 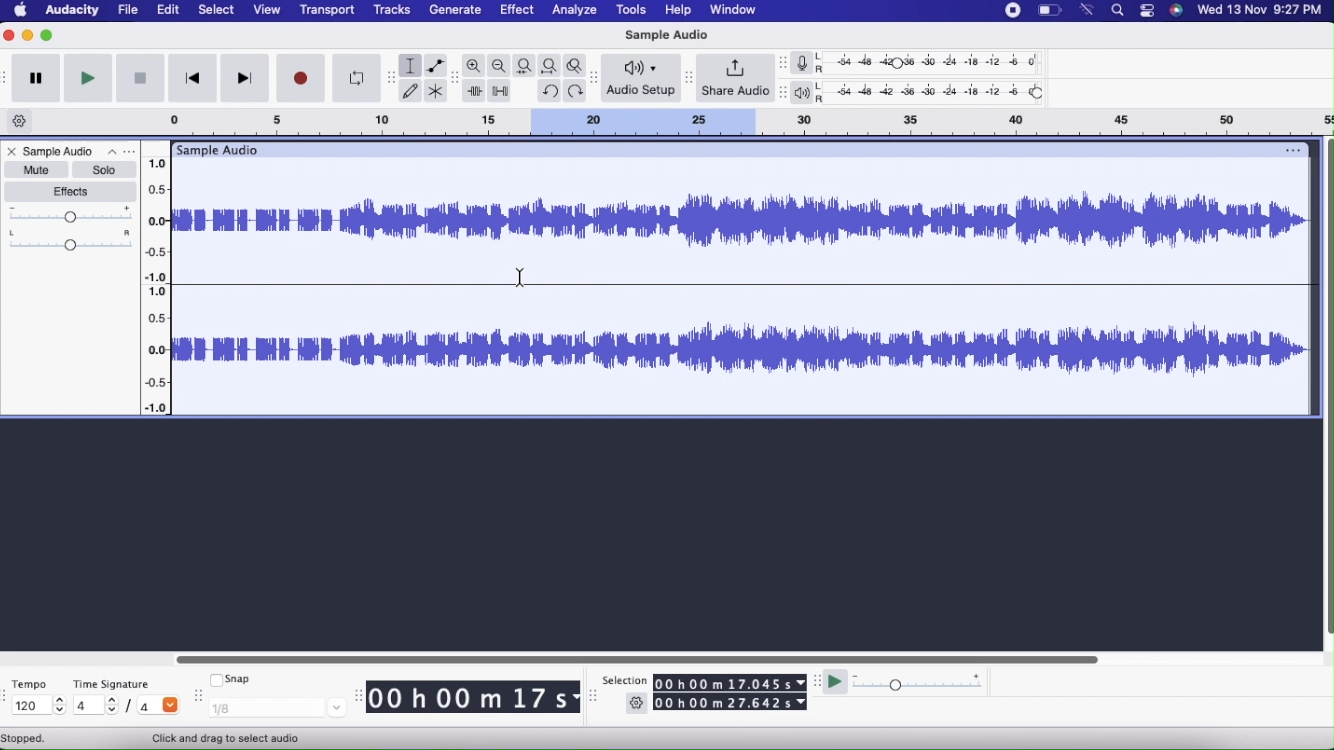 I want to click on Enable Looping, so click(x=356, y=79).